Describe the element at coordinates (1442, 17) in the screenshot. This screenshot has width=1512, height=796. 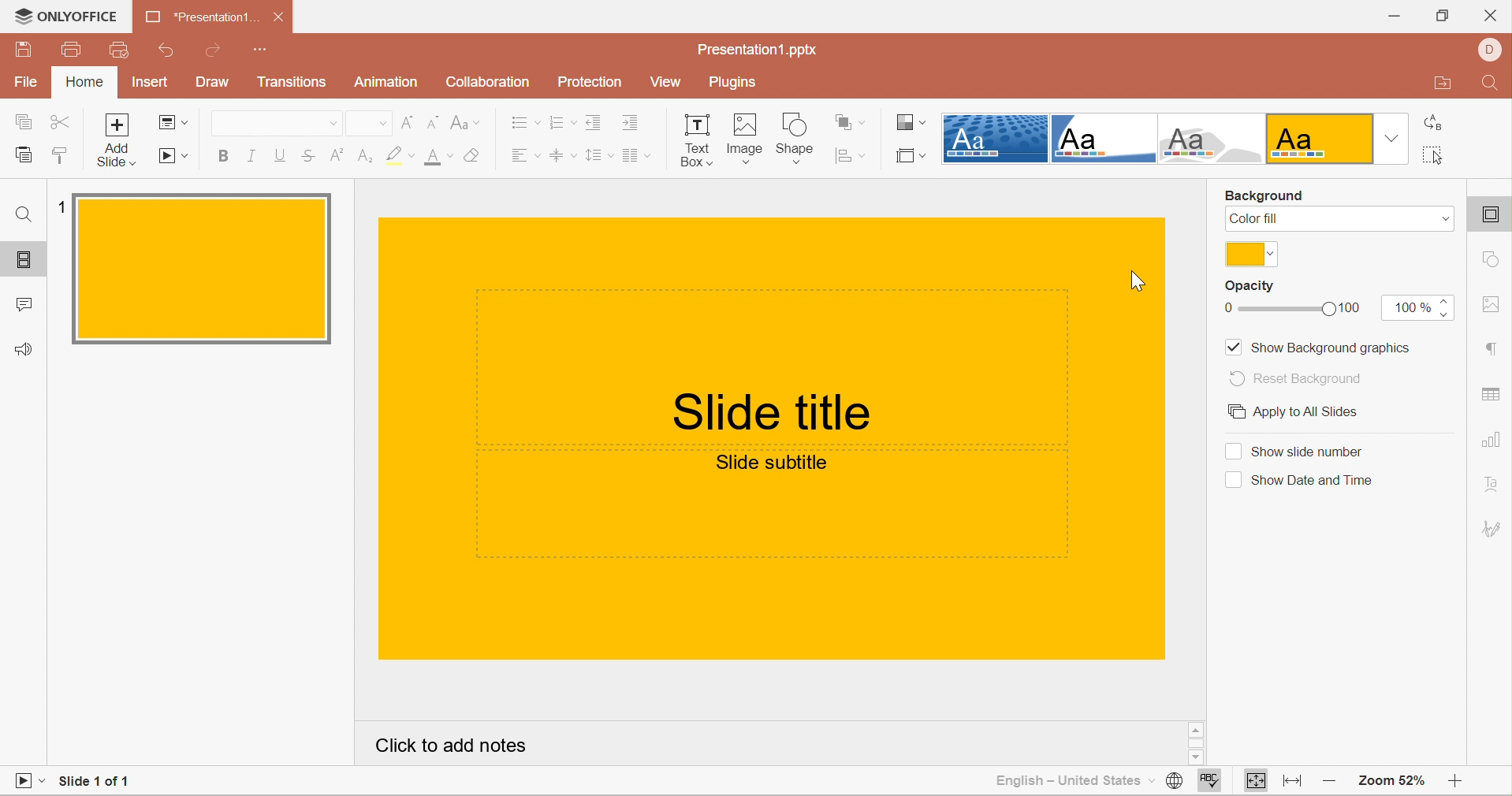
I see `Restore Down` at that location.